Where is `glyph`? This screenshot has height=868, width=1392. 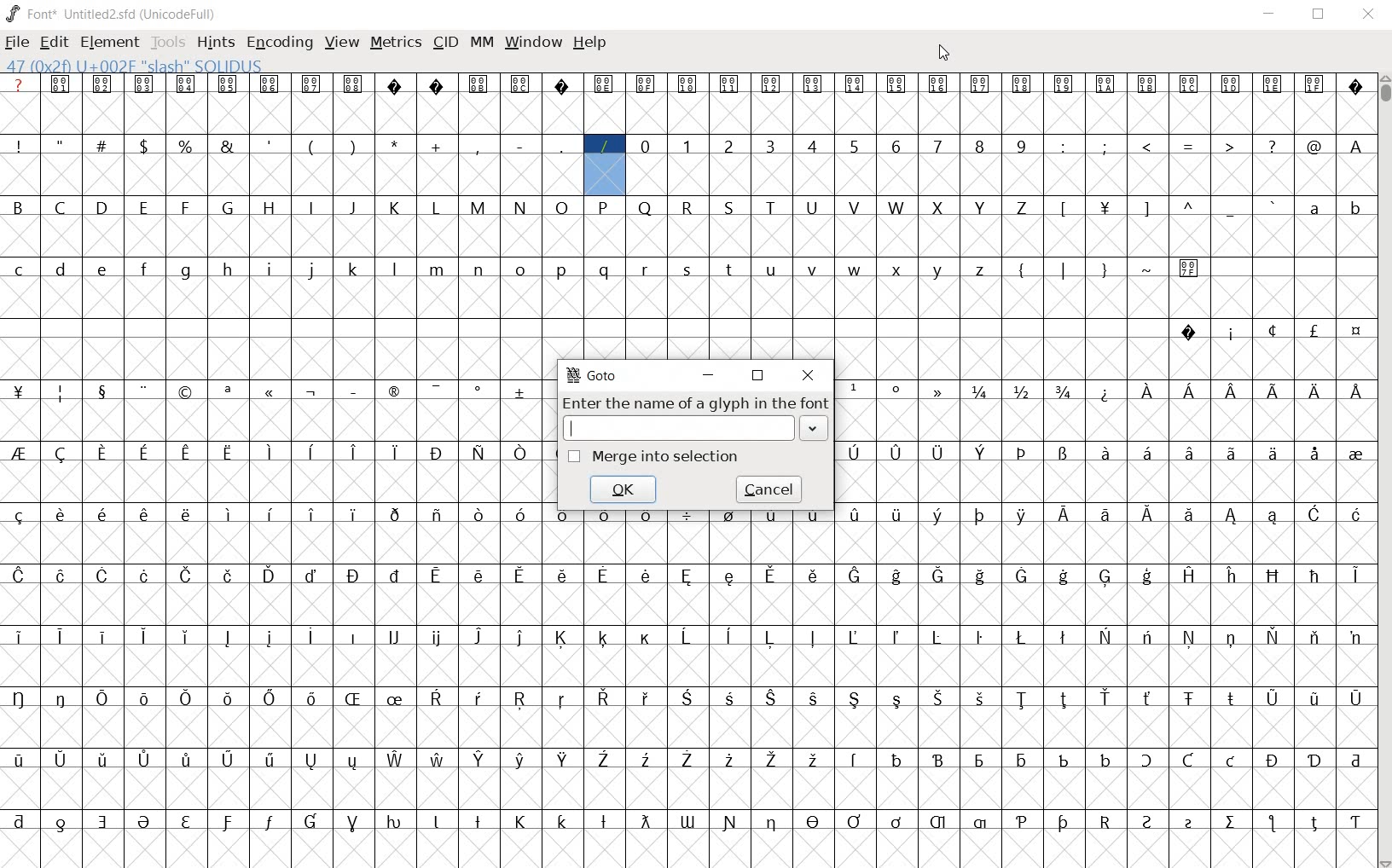 glyph is located at coordinates (1020, 272).